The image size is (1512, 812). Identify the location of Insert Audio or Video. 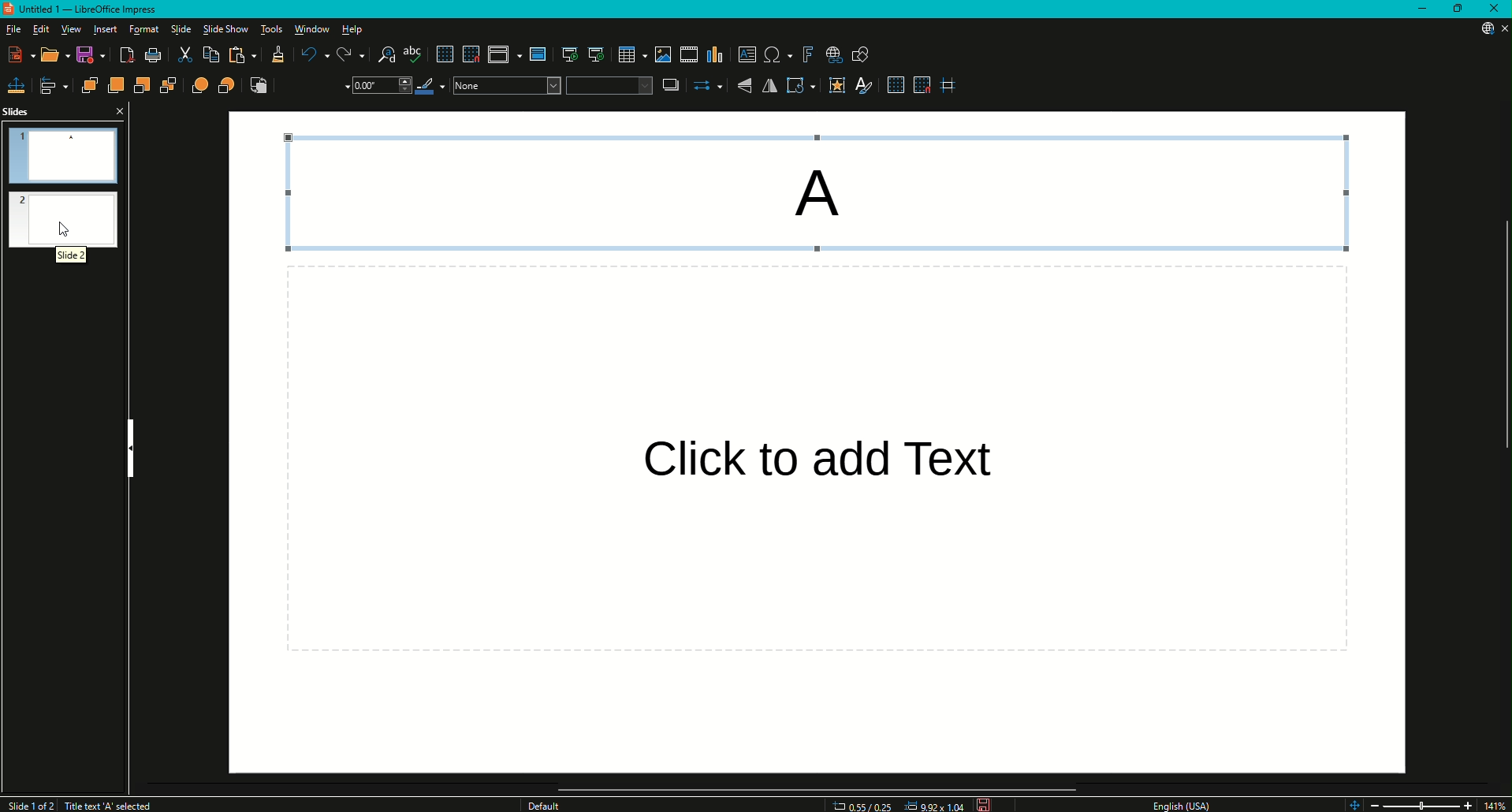
(688, 52).